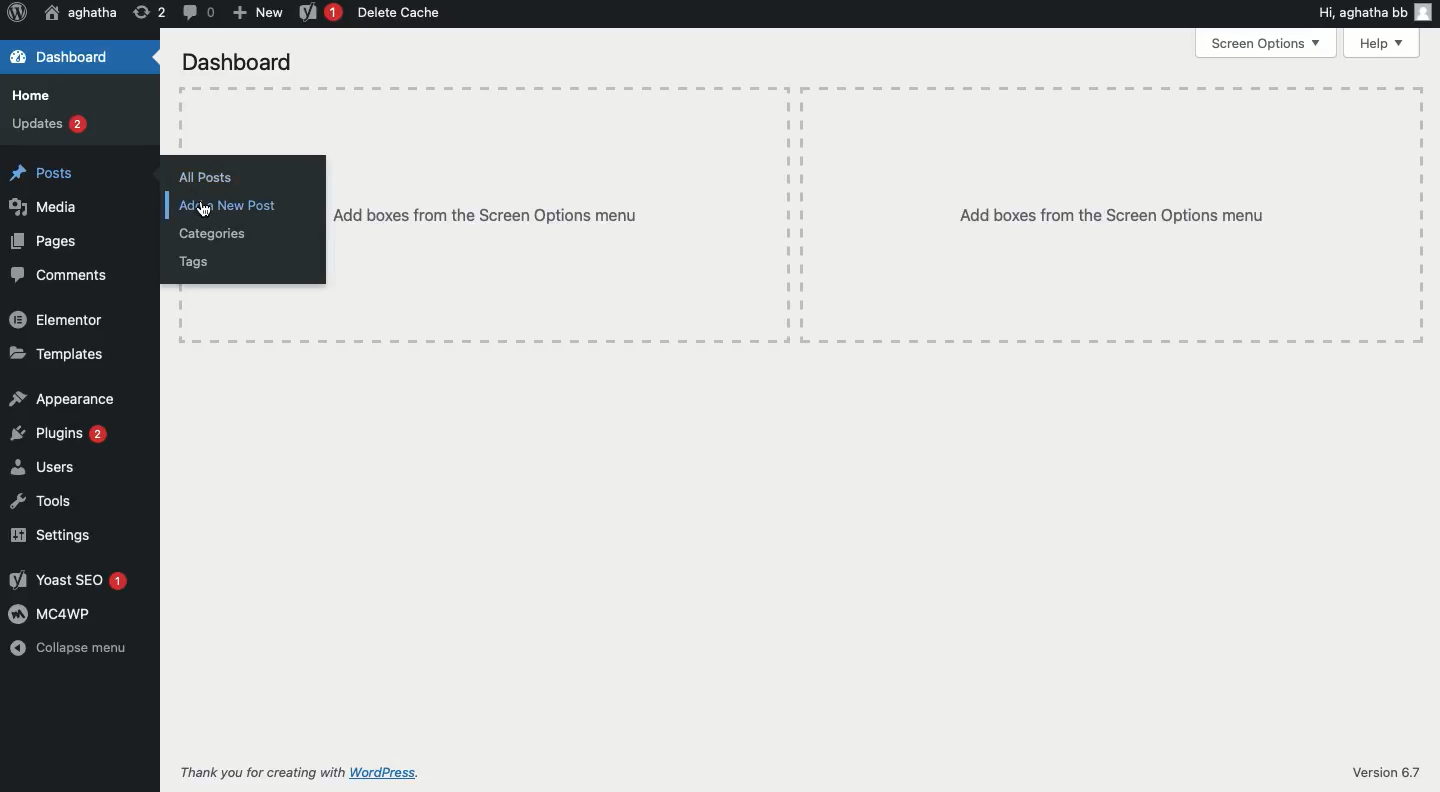  Describe the element at coordinates (488, 216) in the screenshot. I see `‘Add boxes from the Screen Options menu` at that location.